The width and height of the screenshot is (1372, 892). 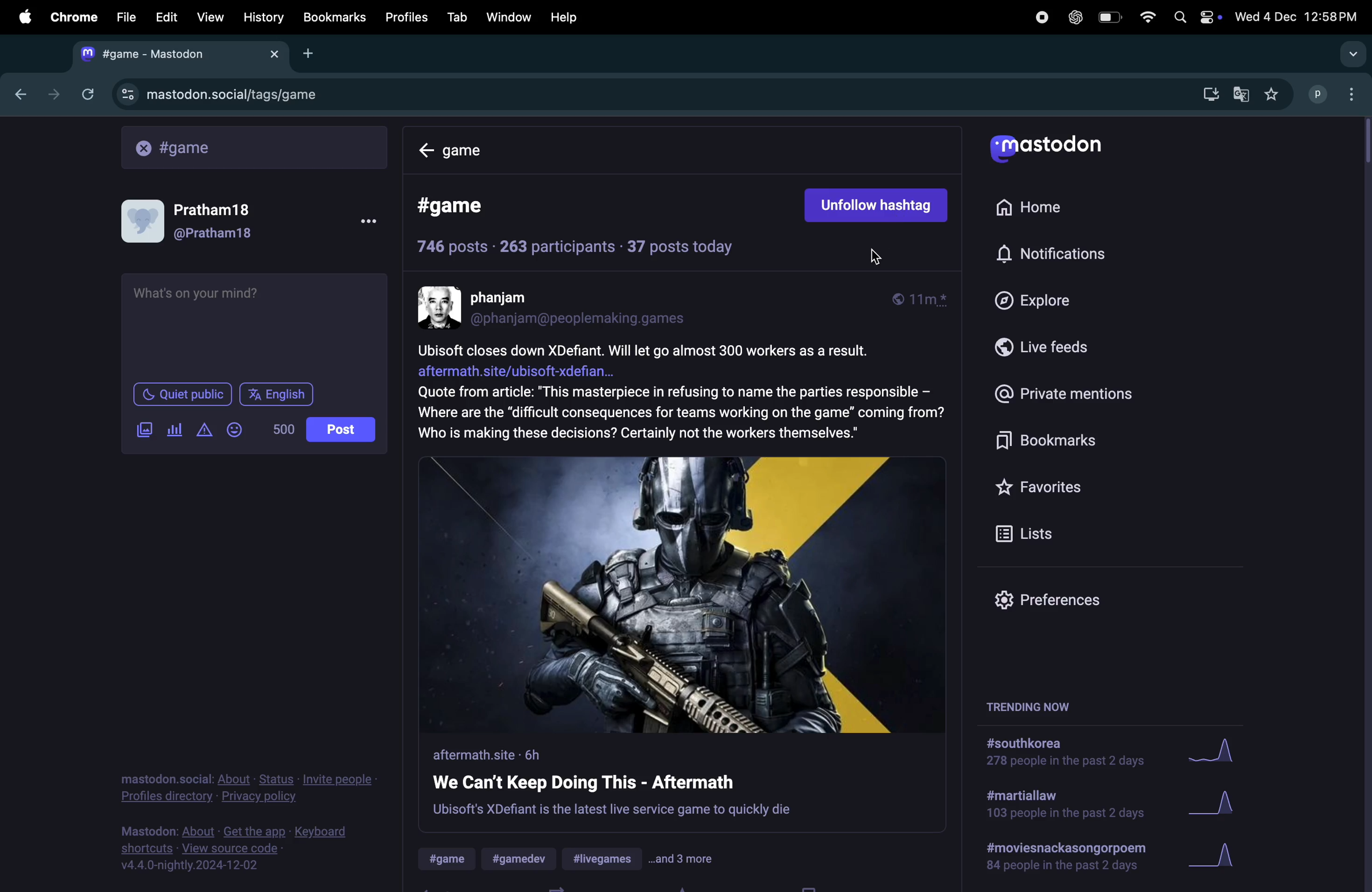 What do you see at coordinates (336, 18) in the screenshot?
I see `Bookmark` at bounding box center [336, 18].